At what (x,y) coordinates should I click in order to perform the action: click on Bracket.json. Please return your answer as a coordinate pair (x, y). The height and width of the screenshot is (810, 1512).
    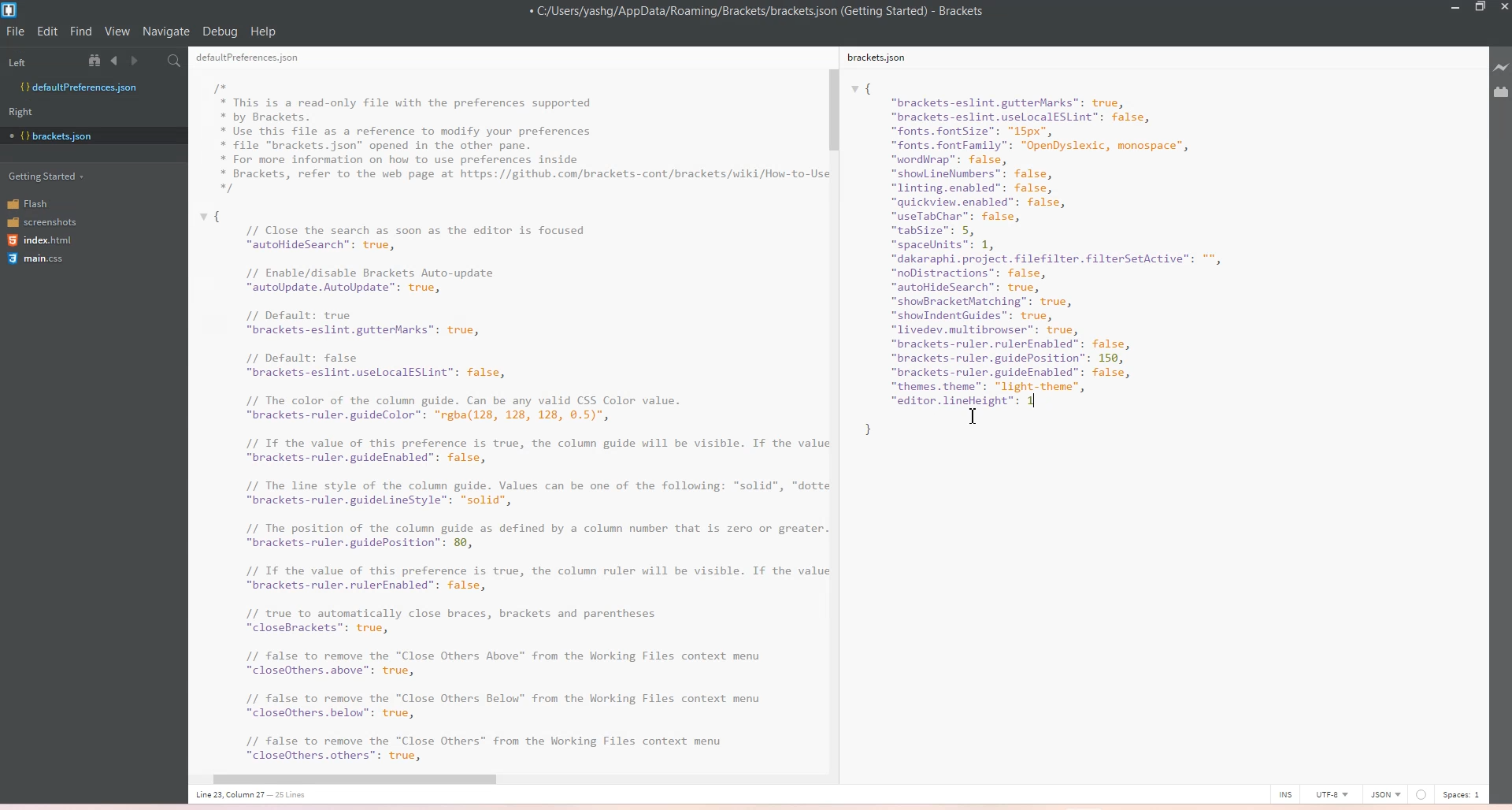
    Looking at the image, I should click on (56, 136).